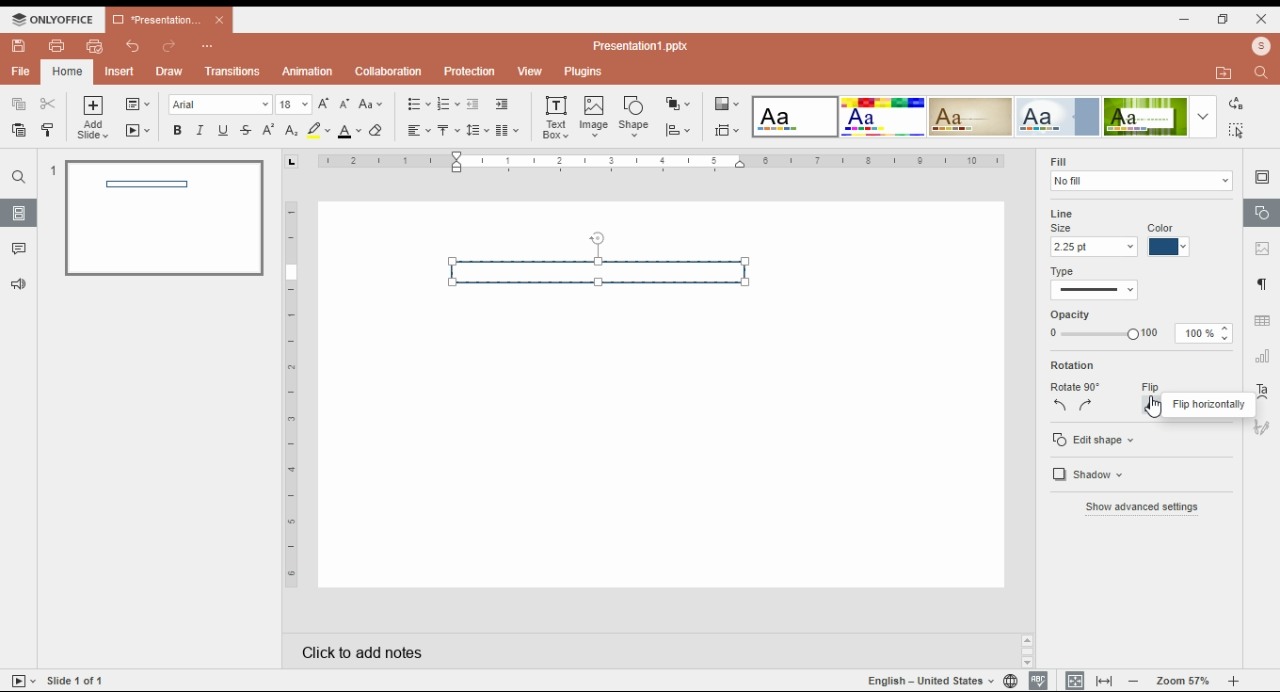  What do you see at coordinates (417, 131) in the screenshot?
I see `horizontal alignment` at bounding box center [417, 131].